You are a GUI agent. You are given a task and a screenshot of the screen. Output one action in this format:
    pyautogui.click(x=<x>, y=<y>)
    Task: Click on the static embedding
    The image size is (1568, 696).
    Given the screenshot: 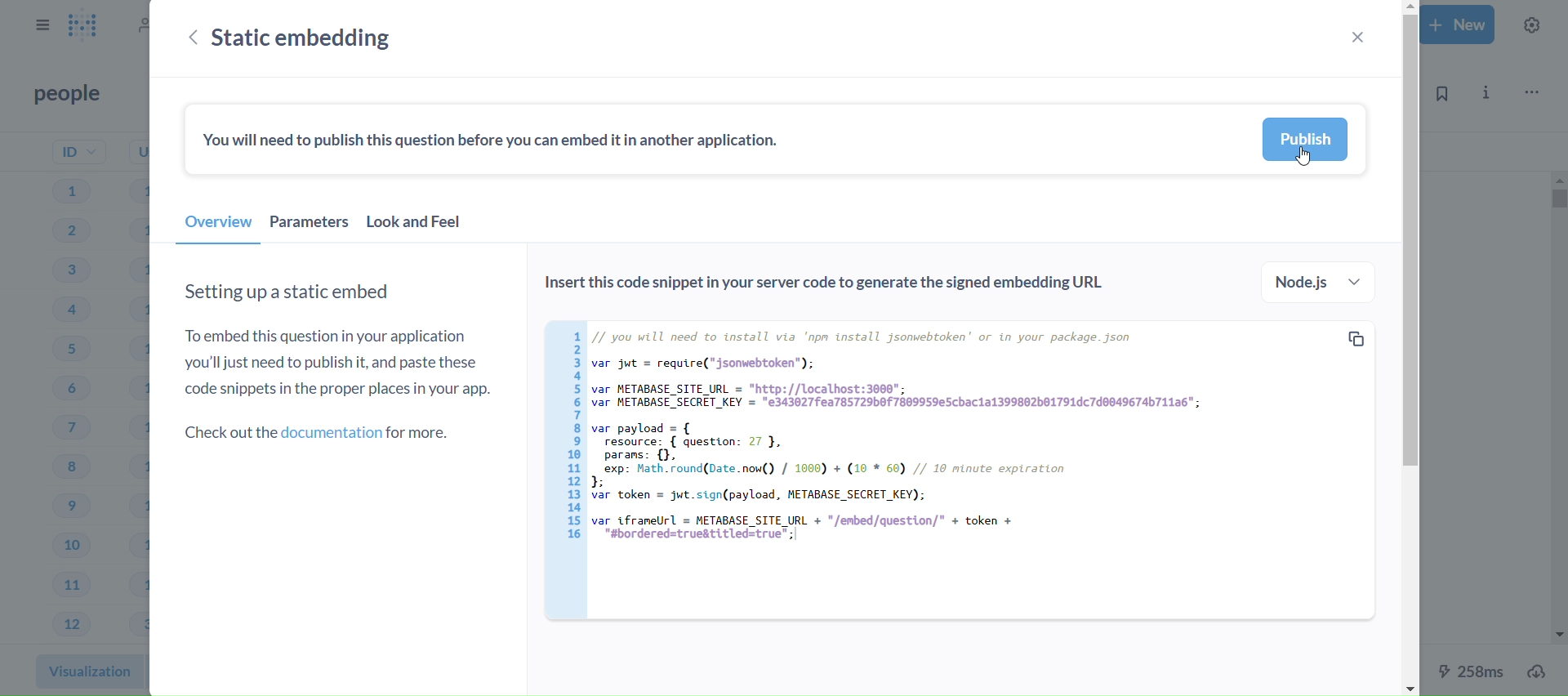 What is the action you would take?
    pyautogui.click(x=329, y=38)
    